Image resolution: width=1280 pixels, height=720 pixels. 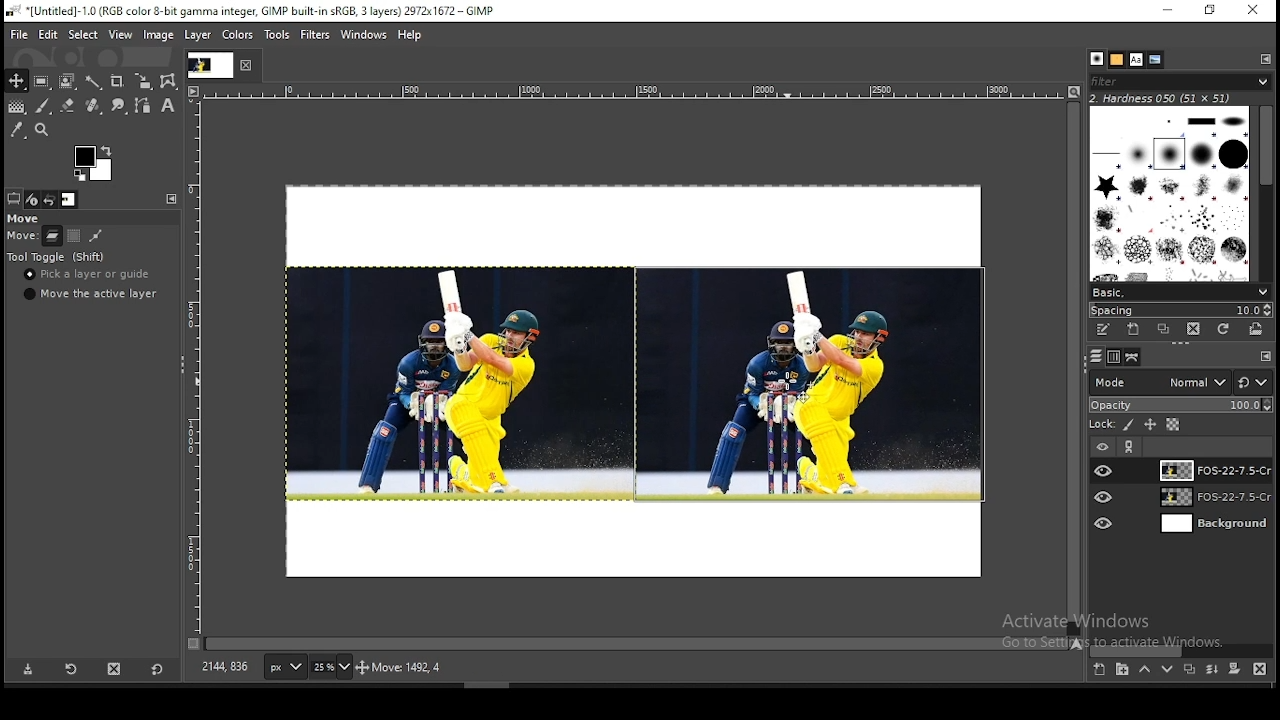 I want to click on brush presets, so click(x=1180, y=291).